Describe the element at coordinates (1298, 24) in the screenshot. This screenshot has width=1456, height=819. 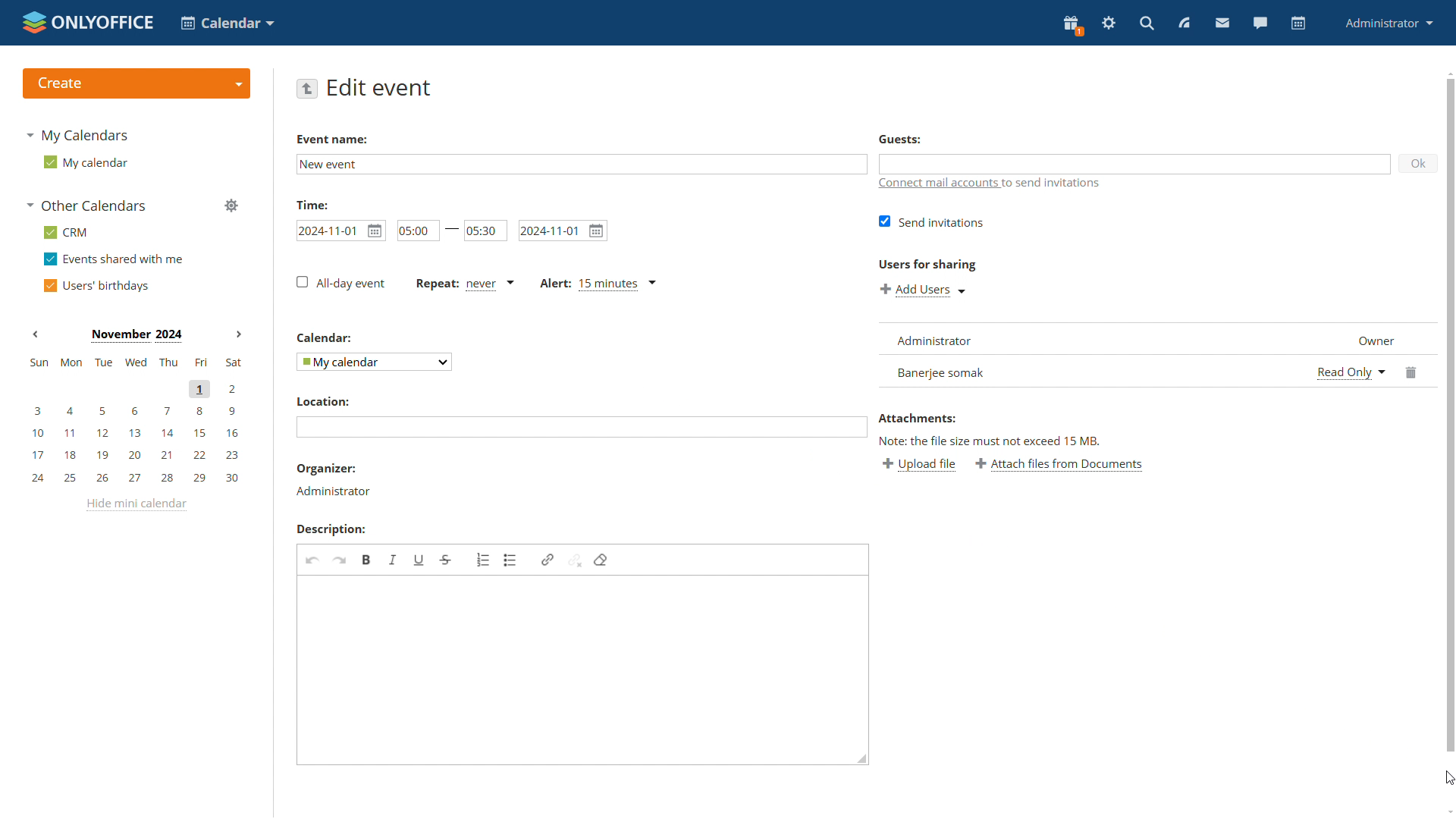
I see `calendar` at that location.